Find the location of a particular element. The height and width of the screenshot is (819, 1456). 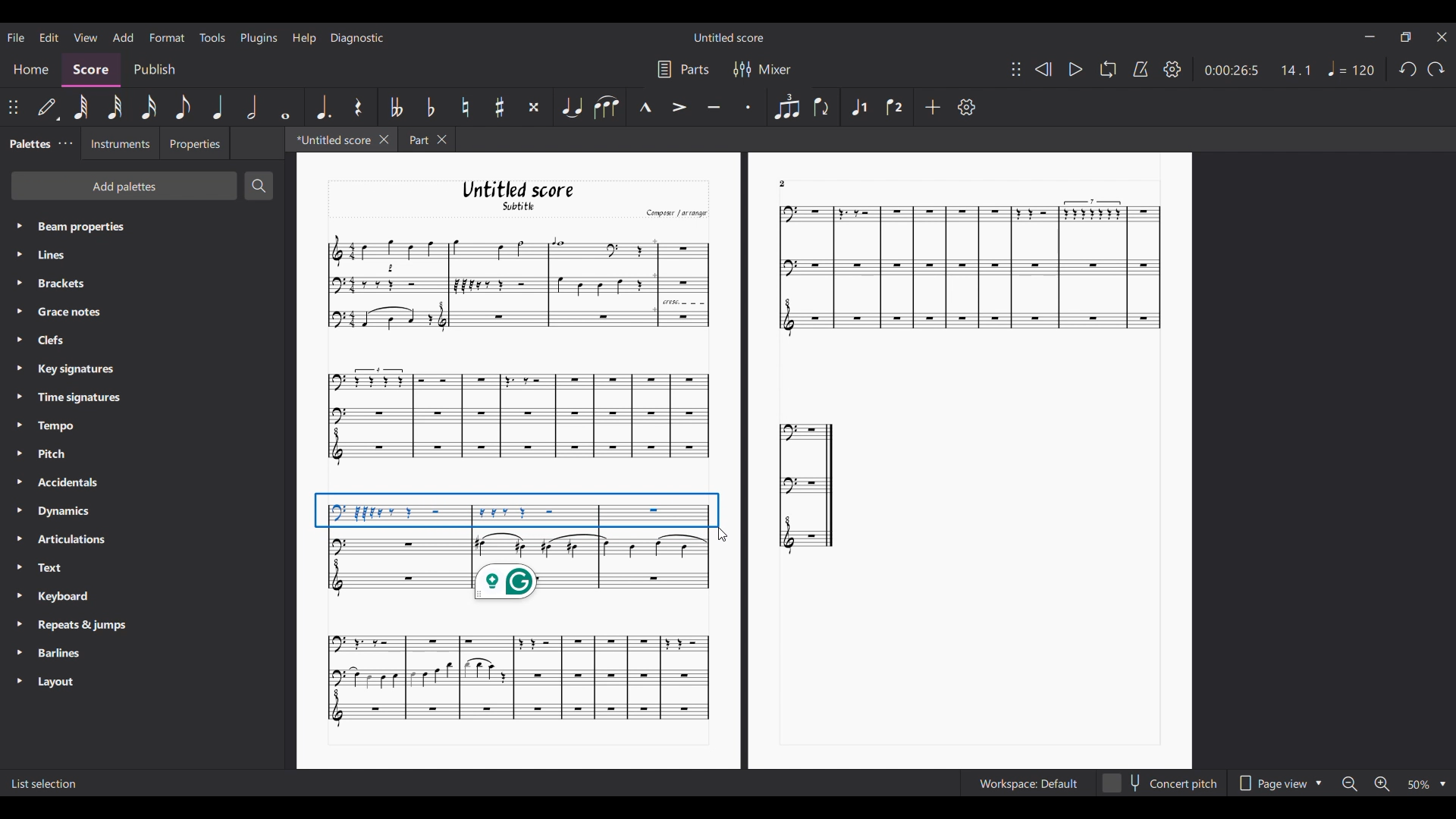

Minimize is located at coordinates (1370, 36).